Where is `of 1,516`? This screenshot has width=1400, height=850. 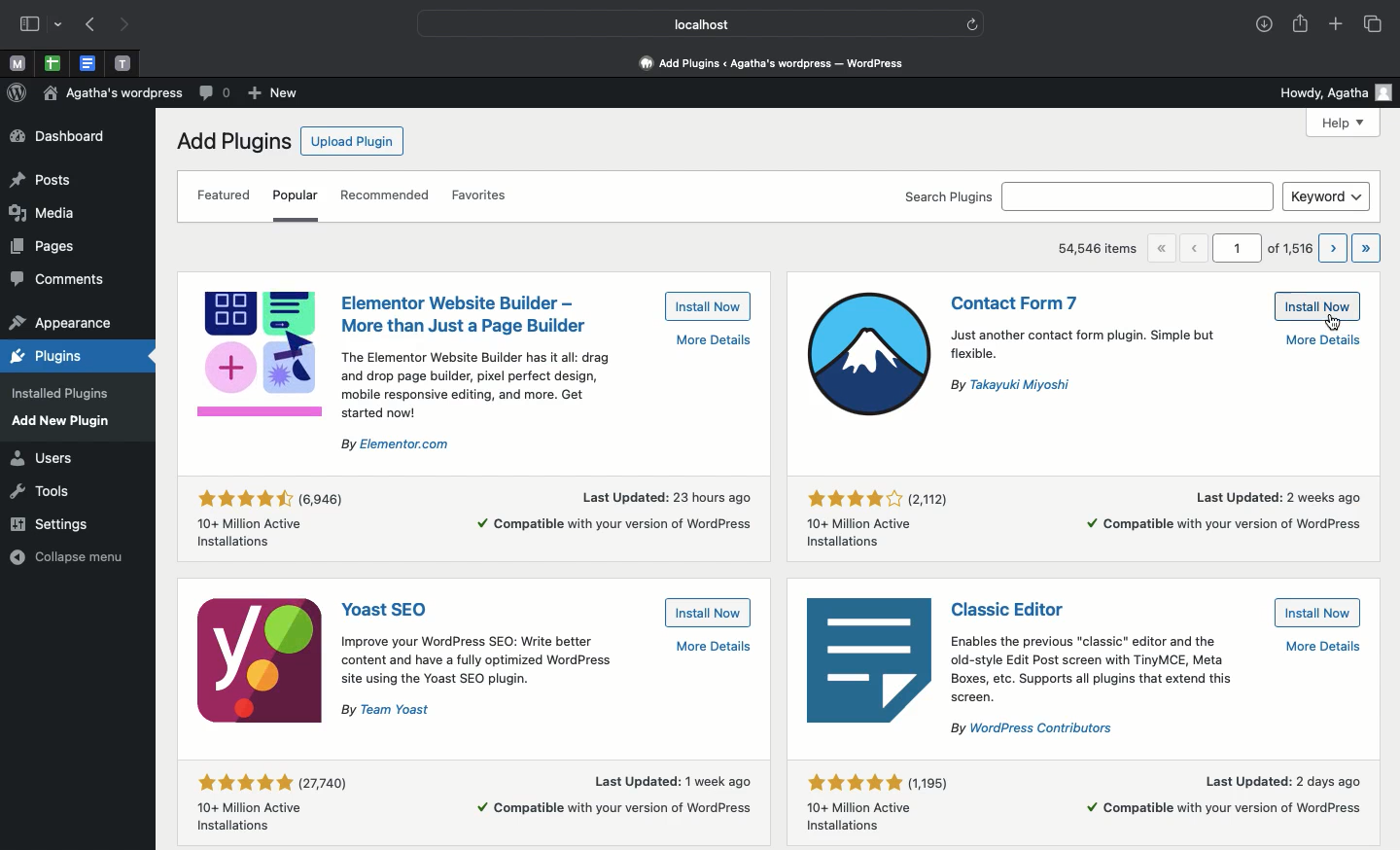 of 1,516 is located at coordinates (1289, 250).